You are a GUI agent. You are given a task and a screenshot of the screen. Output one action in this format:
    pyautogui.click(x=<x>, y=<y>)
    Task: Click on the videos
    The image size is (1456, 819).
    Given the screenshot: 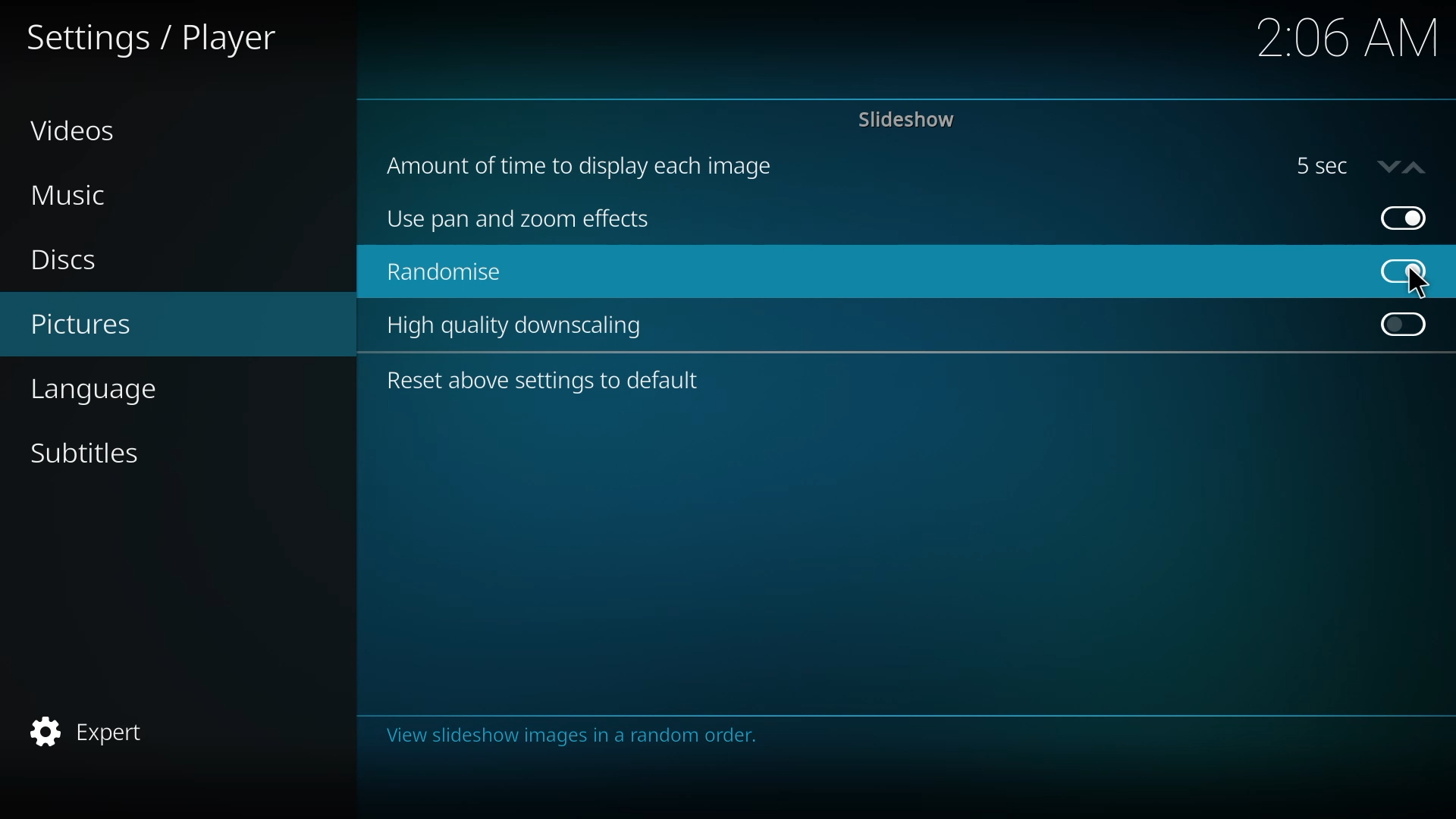 What is the action you would take?
    pyautogui.click(x=76, y=128)
    